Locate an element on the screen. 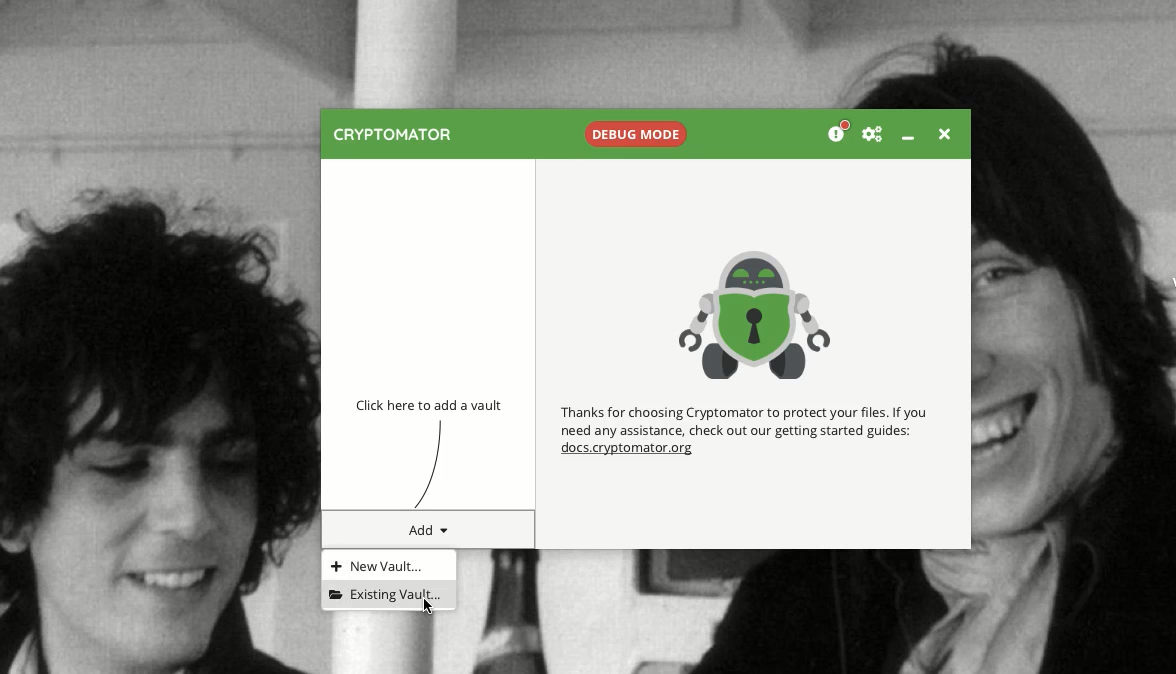 This screenshot has height=674, width=1176. gocs.cryptomator.org is located at coordinates (628, 450).